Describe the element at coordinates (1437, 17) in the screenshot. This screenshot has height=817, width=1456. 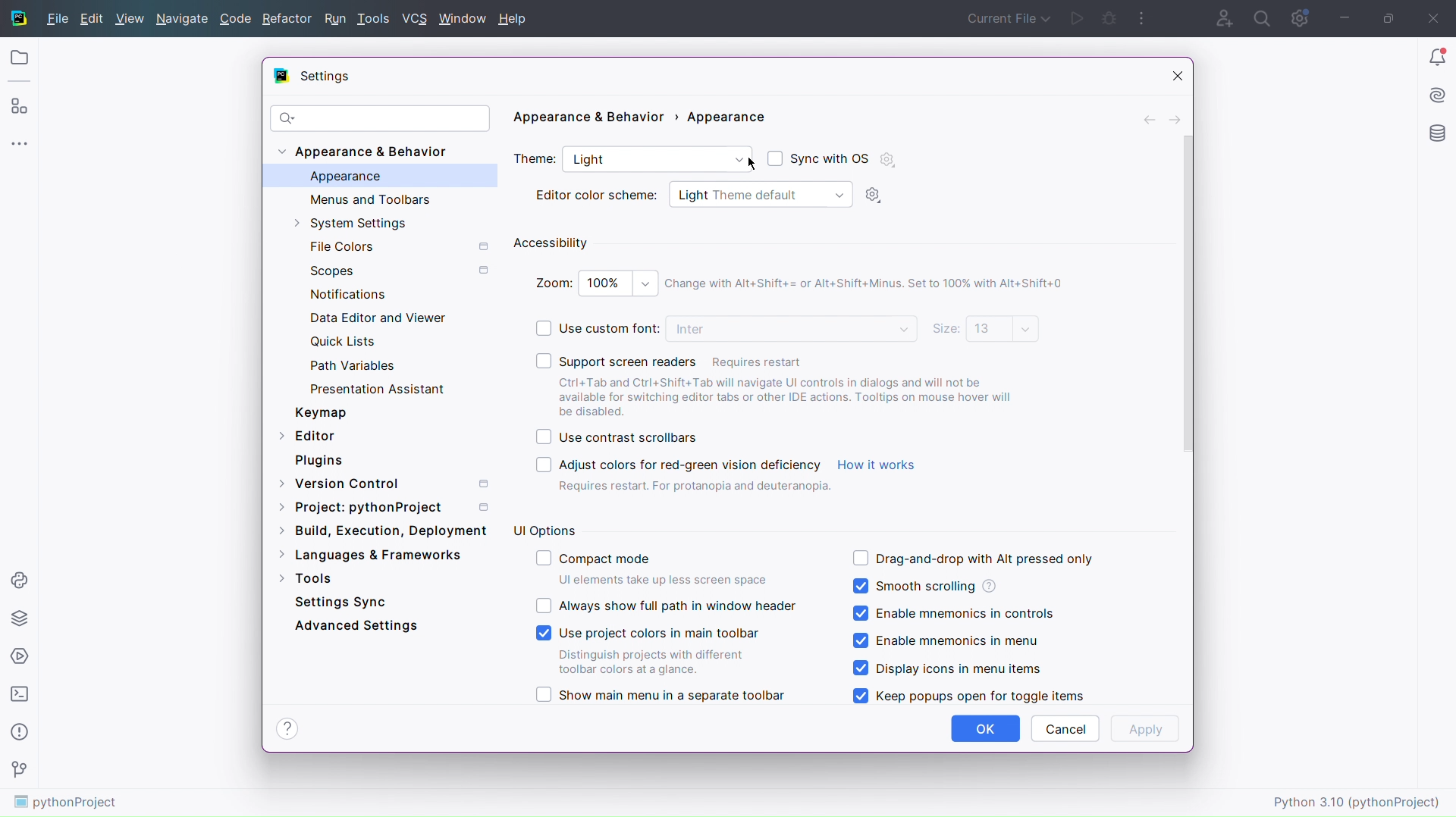
I see `Close` at that location.